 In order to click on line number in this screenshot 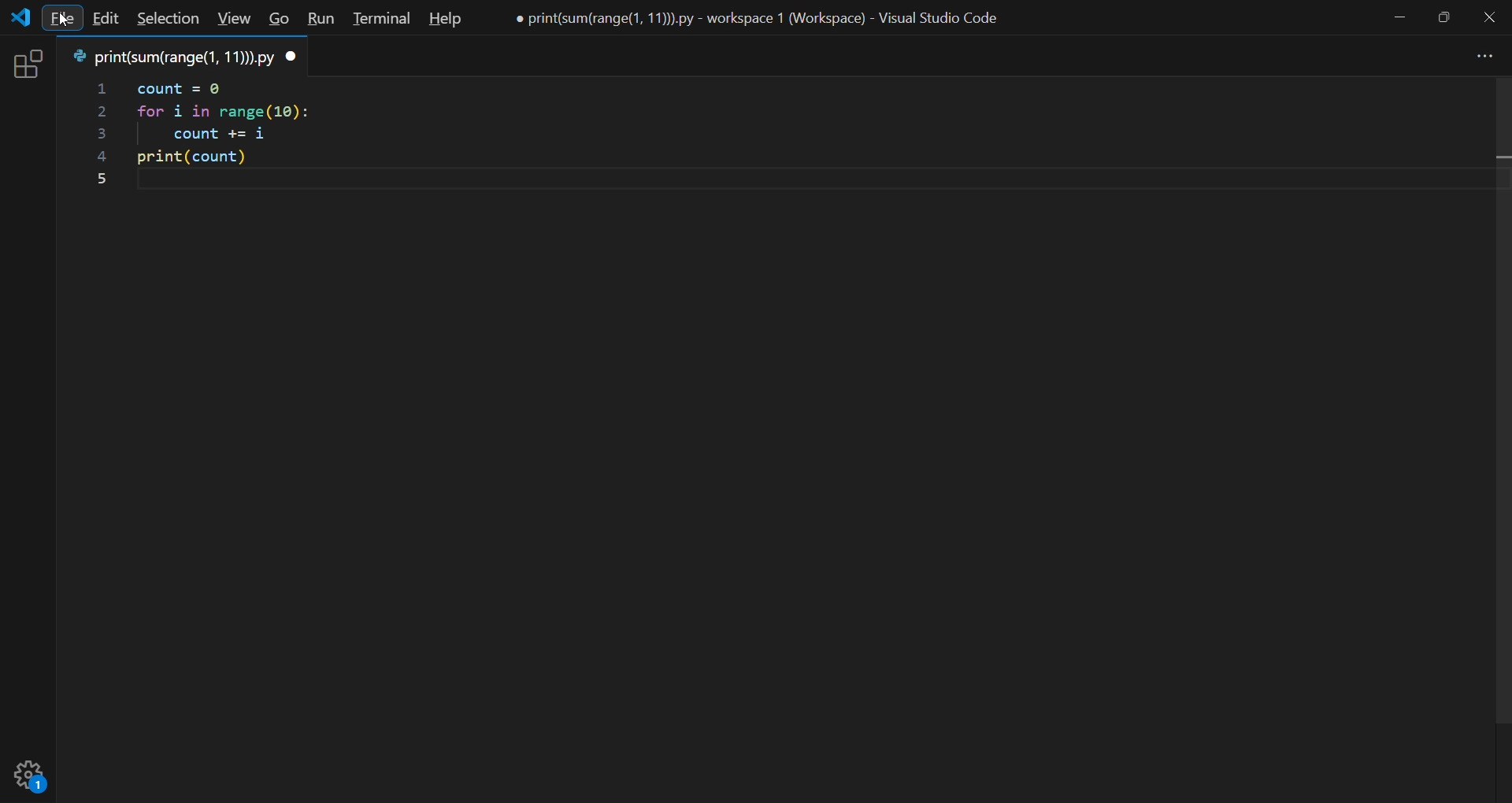, I will do `click(97, 135)`.